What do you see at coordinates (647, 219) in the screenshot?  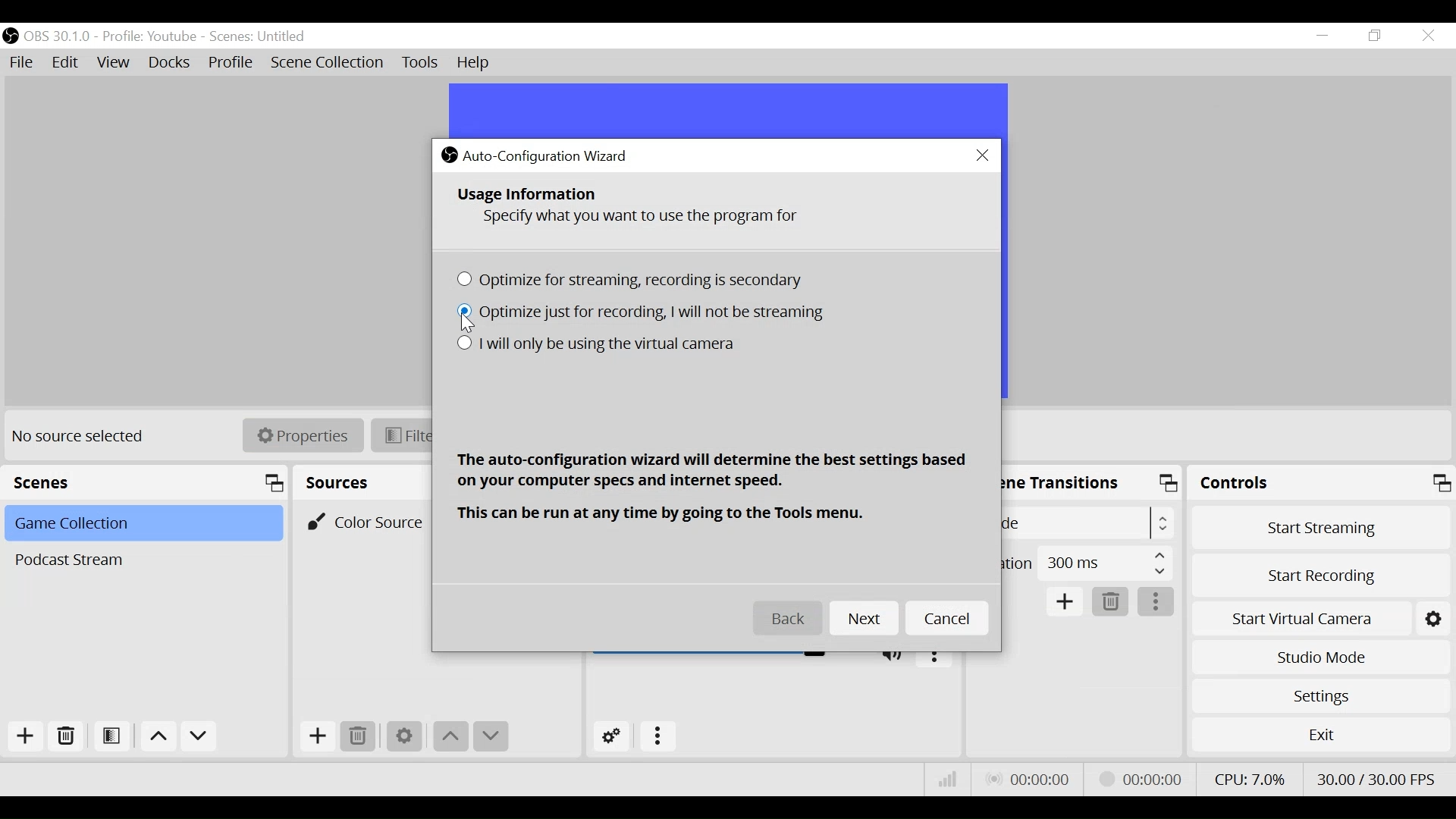 I see `Specify what you want to use the program for` at bounding box center [647, 219].